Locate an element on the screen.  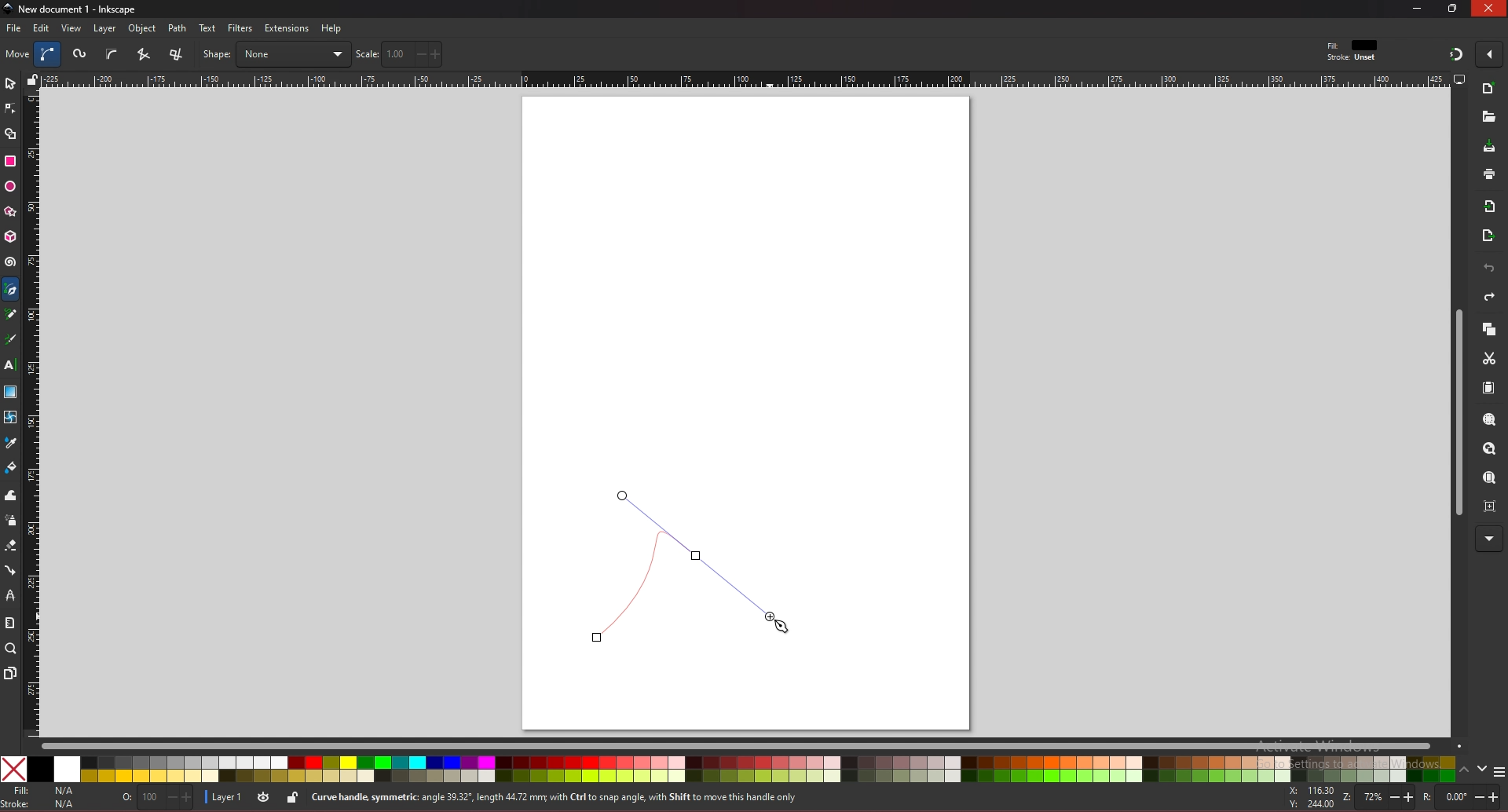
measure is located at coordinates (9, 623).